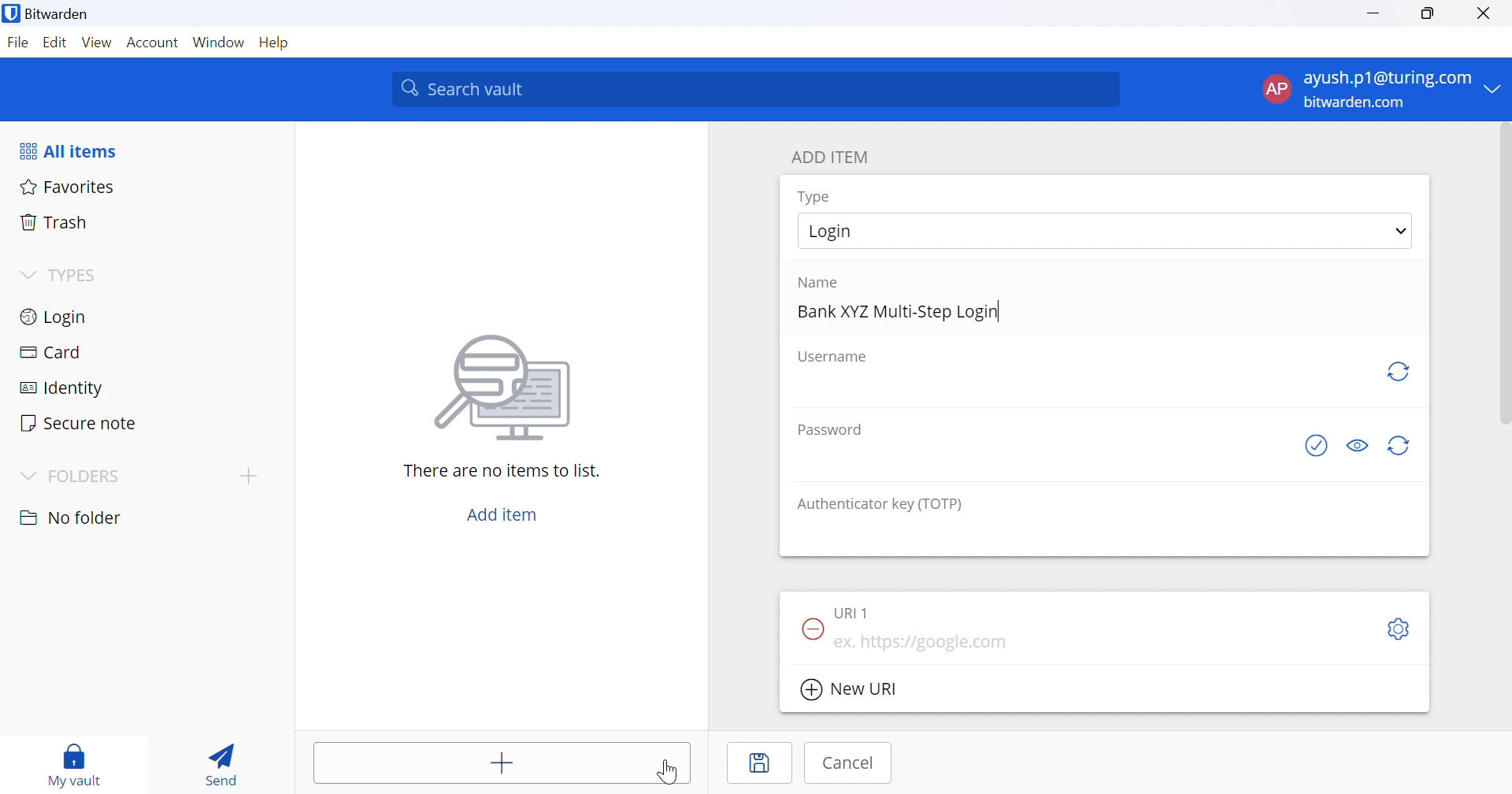 The width and height of the screenshot is (1512, 794). I want to click on Password, so click(832, 429).